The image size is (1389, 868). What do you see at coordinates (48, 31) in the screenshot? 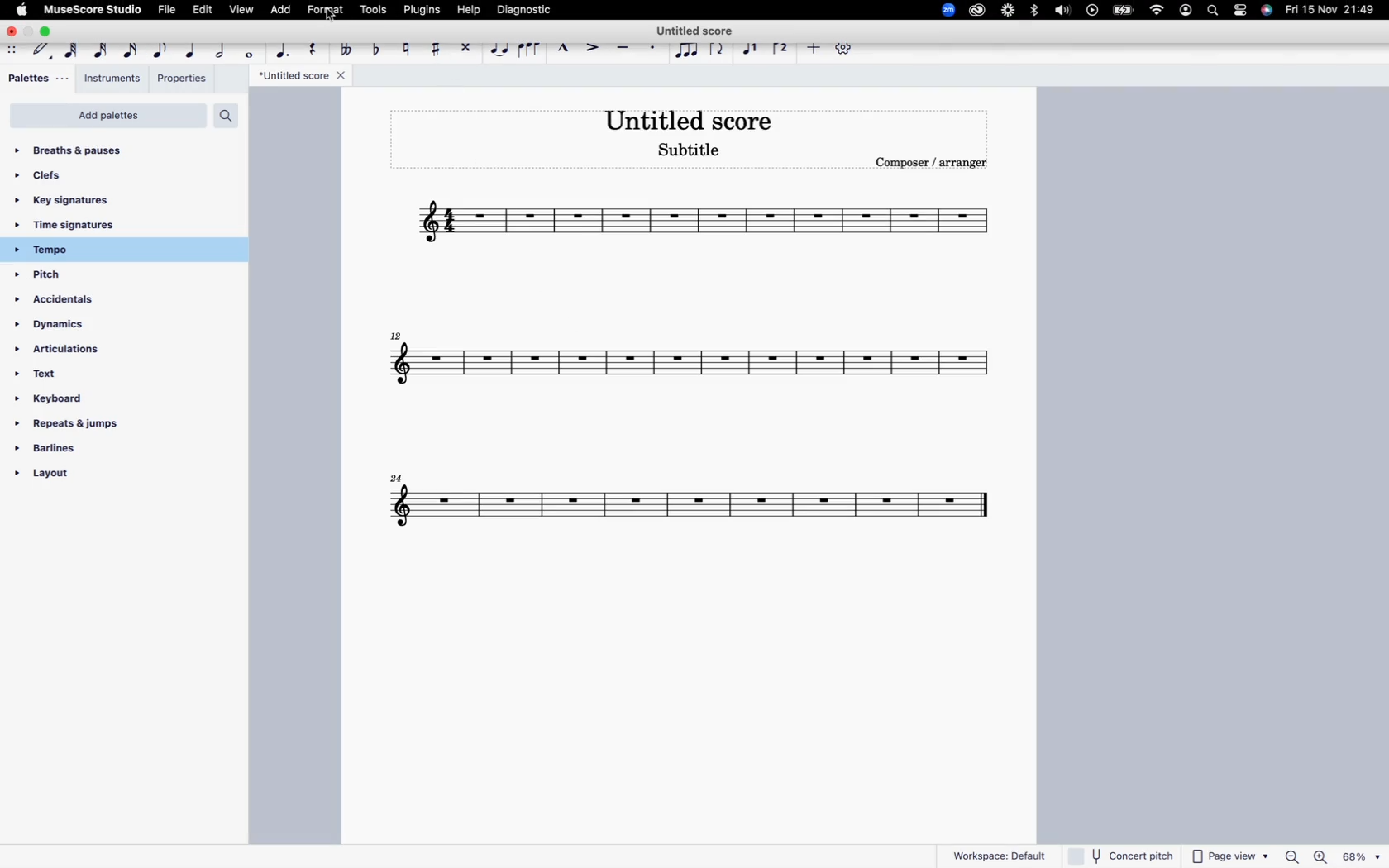
I see `maximize` at bounding box center [48, 31].